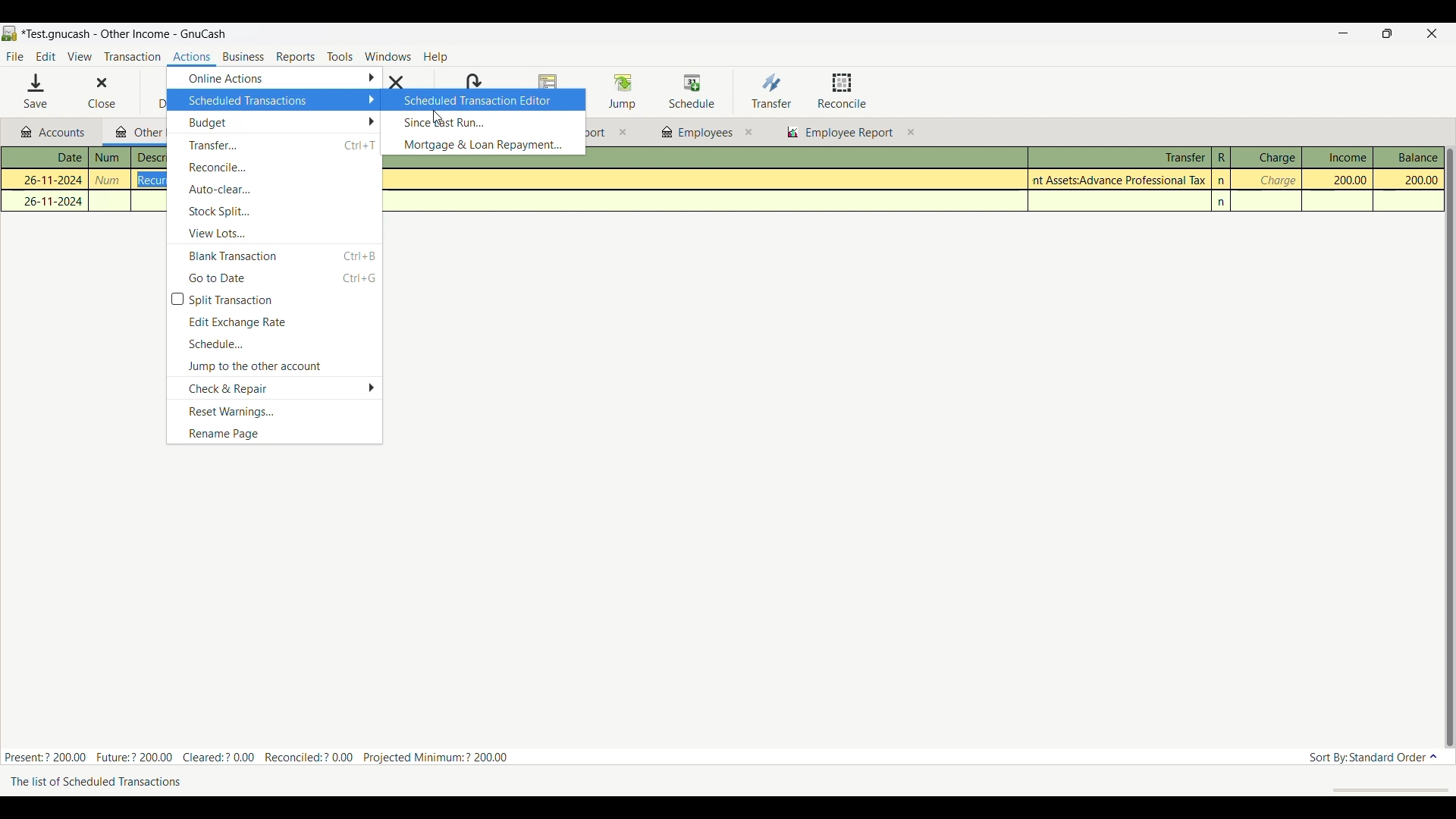 Image resolution: width=1456 pixels, height=819 pixels. What do you see at coordinates (275, 344) in the screenshot?
I see `Schedule` at bounding box center [275, 344].